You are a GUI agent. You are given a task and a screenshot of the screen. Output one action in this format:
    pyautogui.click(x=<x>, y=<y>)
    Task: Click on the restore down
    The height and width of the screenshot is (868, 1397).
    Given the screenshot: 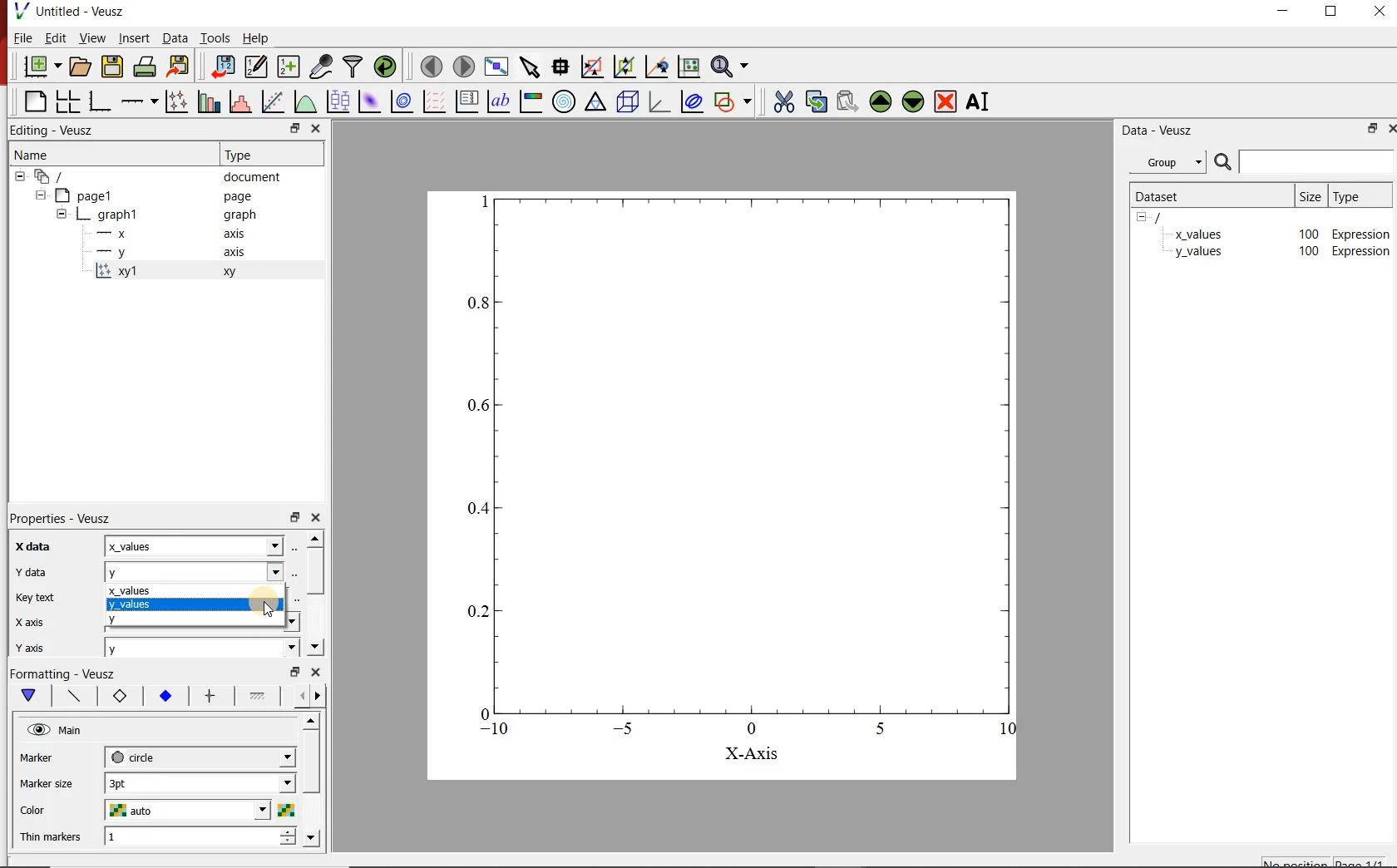 What is the action you would take?
    pyautogui.click(x=294, y=127)
    